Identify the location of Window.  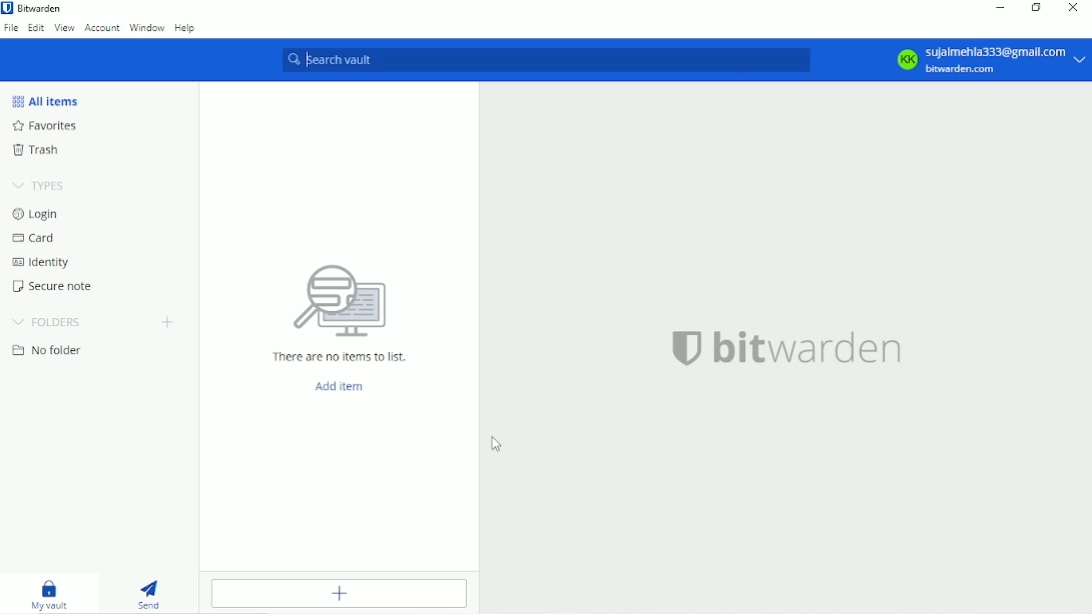
(147, 28).